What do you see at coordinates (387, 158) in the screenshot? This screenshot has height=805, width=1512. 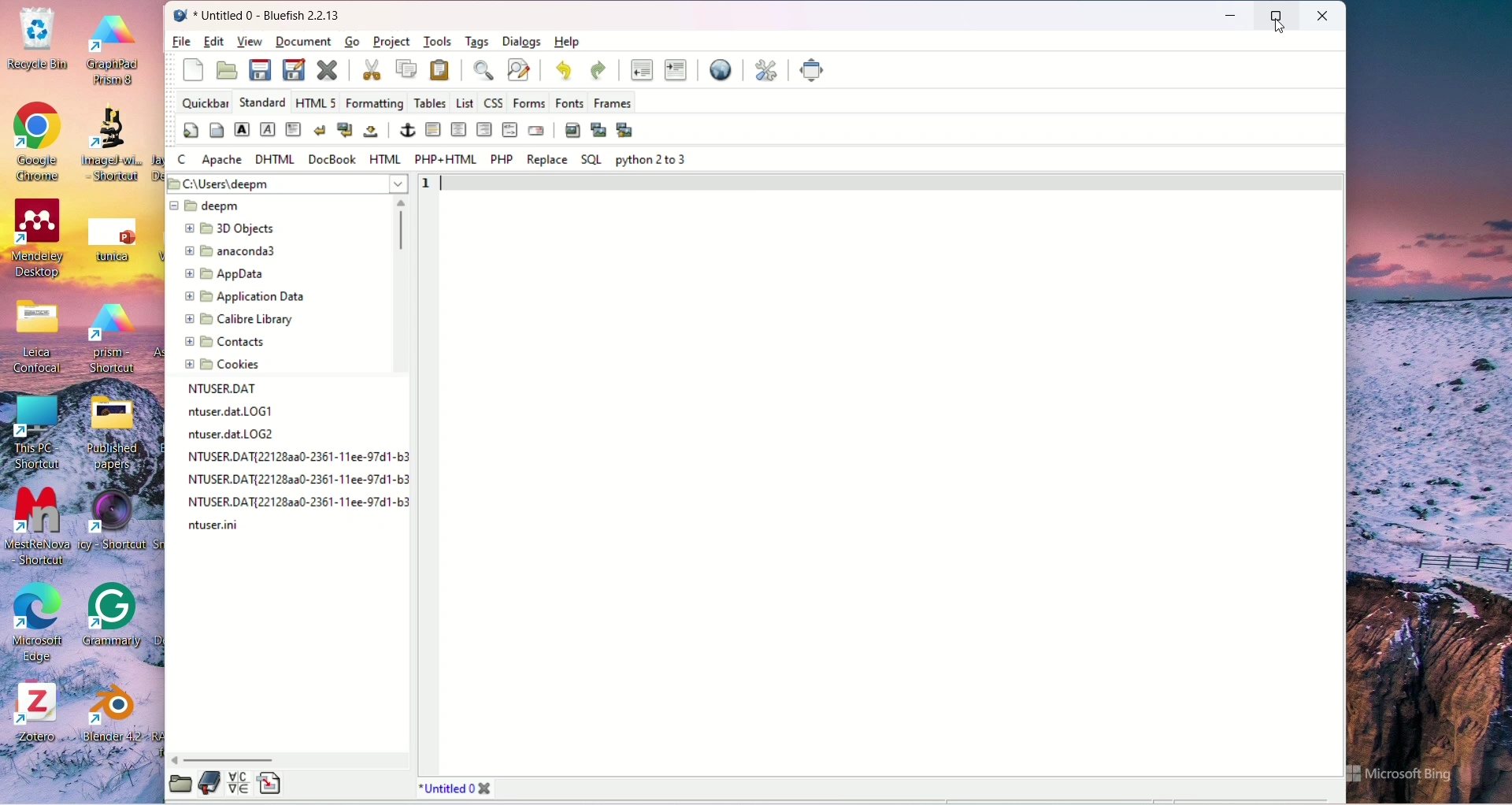 I see `HTML` at bounding box center [387, 158].